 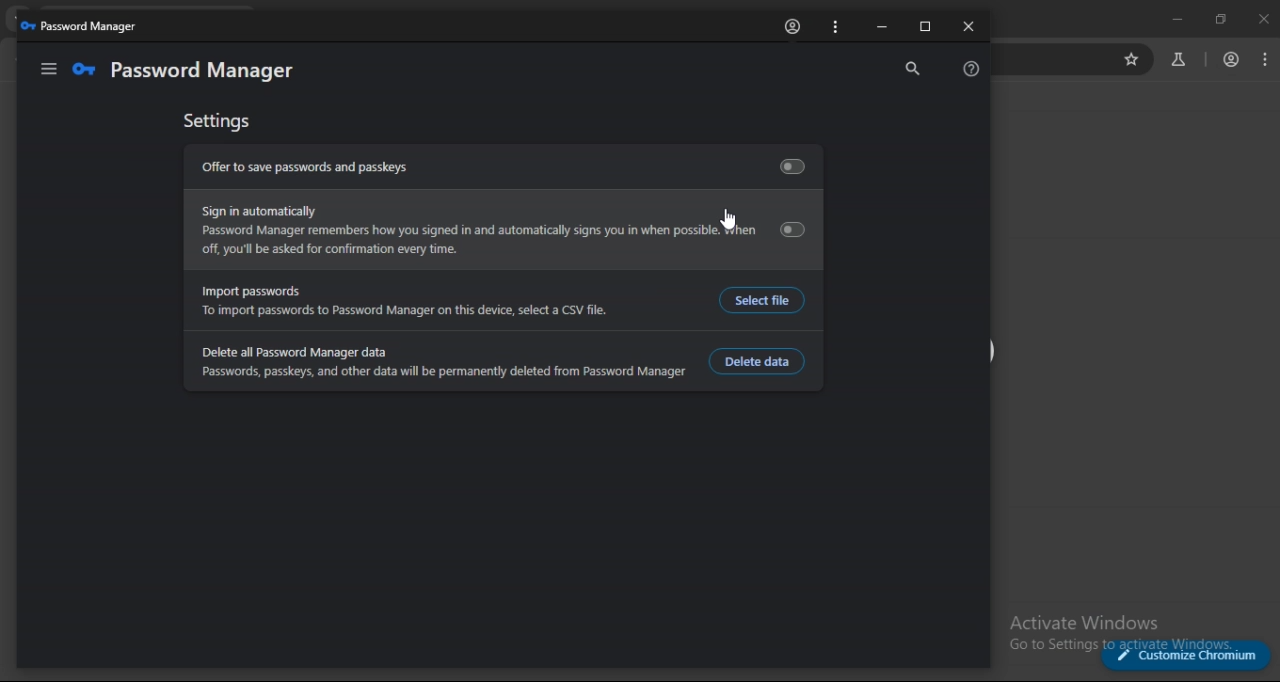 What do you see at coordinates (838, 26) in the screenshot?
I see `more options` at bounding box center [838, 26].